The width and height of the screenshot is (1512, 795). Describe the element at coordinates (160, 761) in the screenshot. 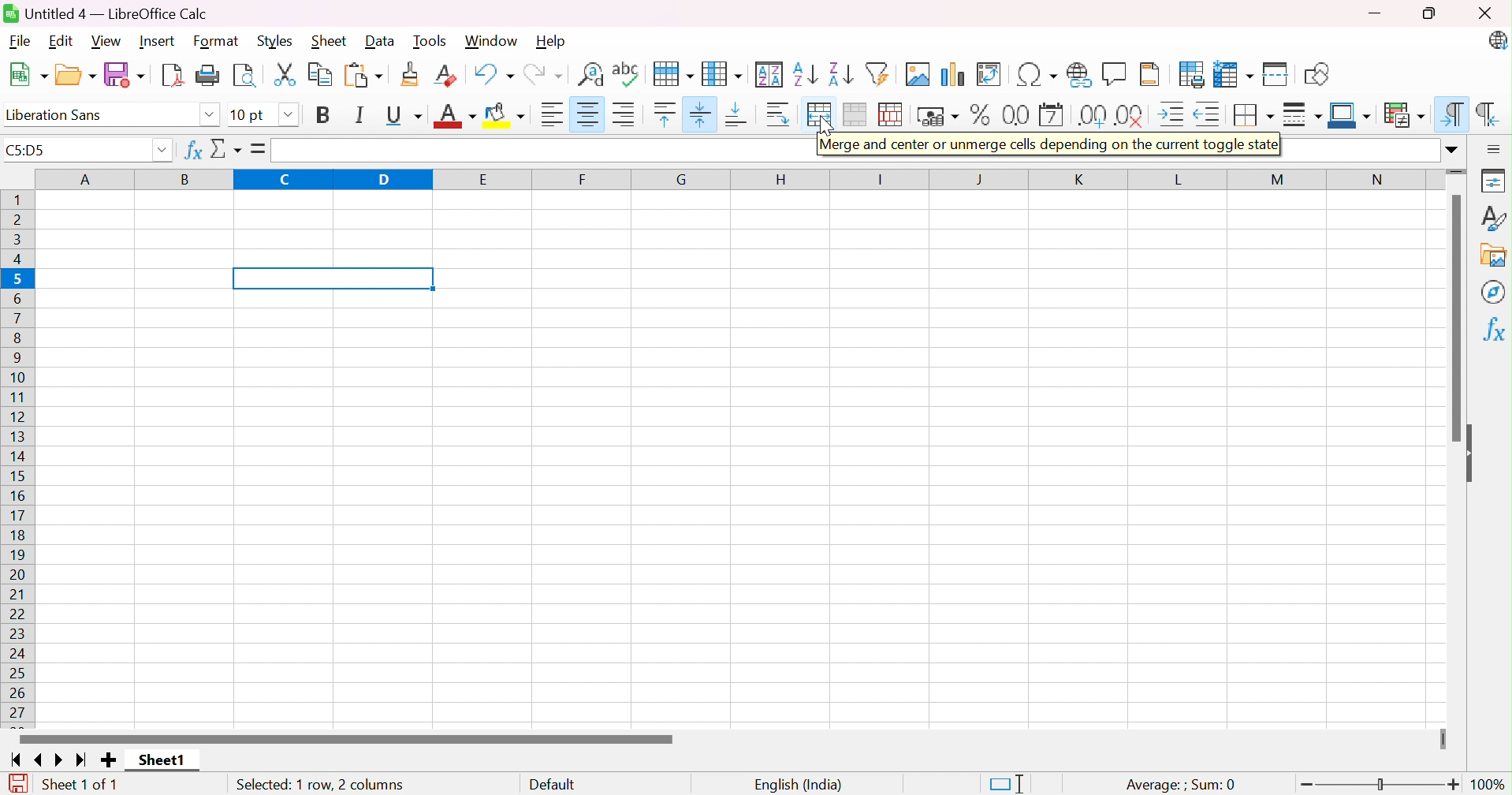

I see `Sheet1` at that location.